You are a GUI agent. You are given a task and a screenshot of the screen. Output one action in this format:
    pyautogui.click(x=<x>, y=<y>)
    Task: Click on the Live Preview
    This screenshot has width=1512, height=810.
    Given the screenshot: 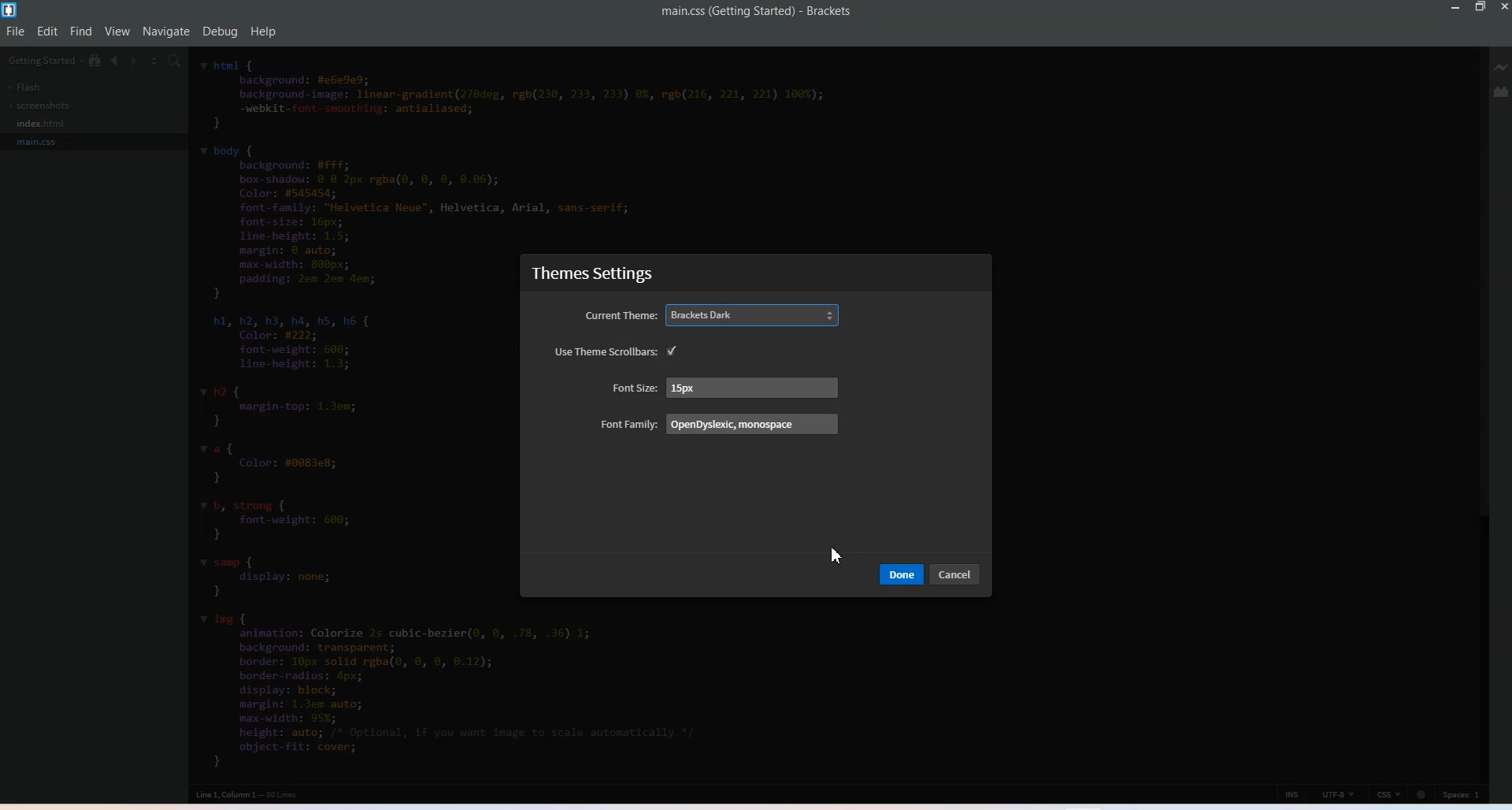 What is the action you would take?
    pyautogui.click(x=1503, y=68)
    